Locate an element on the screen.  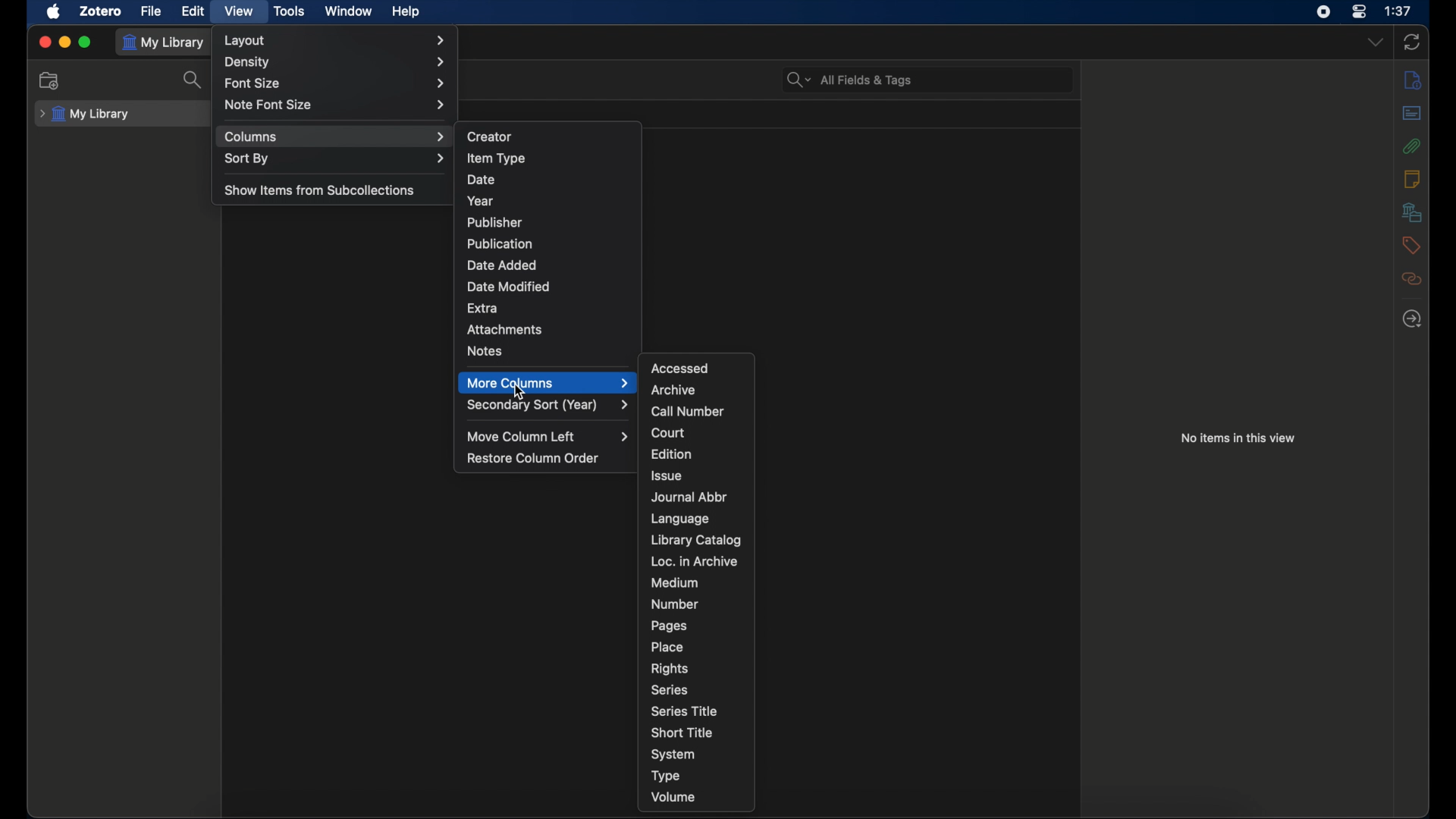
loc. in archive is located at coordinates (695, 561).